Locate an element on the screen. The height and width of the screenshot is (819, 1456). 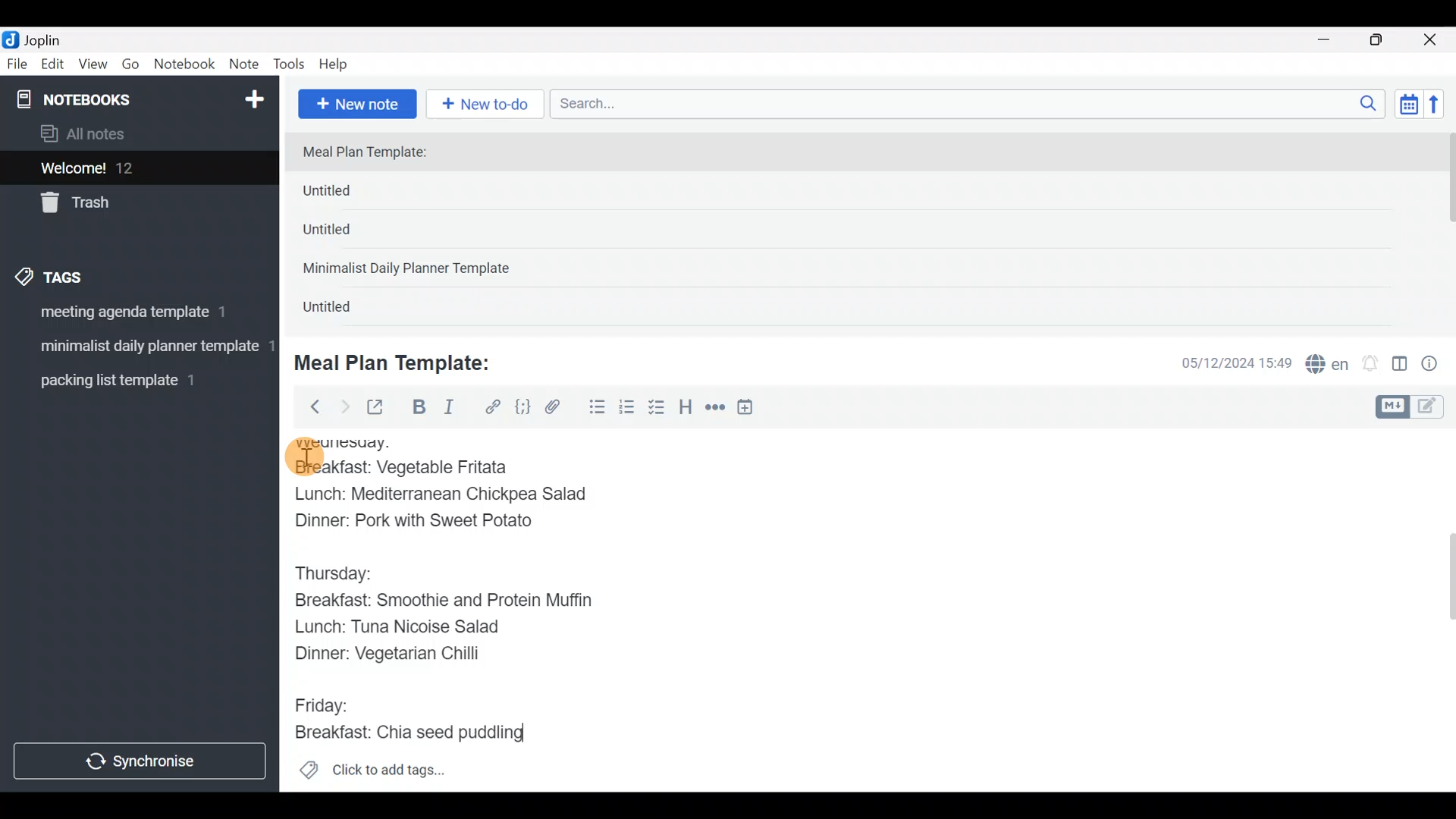
Joplin is located at coordinates (52, 38).